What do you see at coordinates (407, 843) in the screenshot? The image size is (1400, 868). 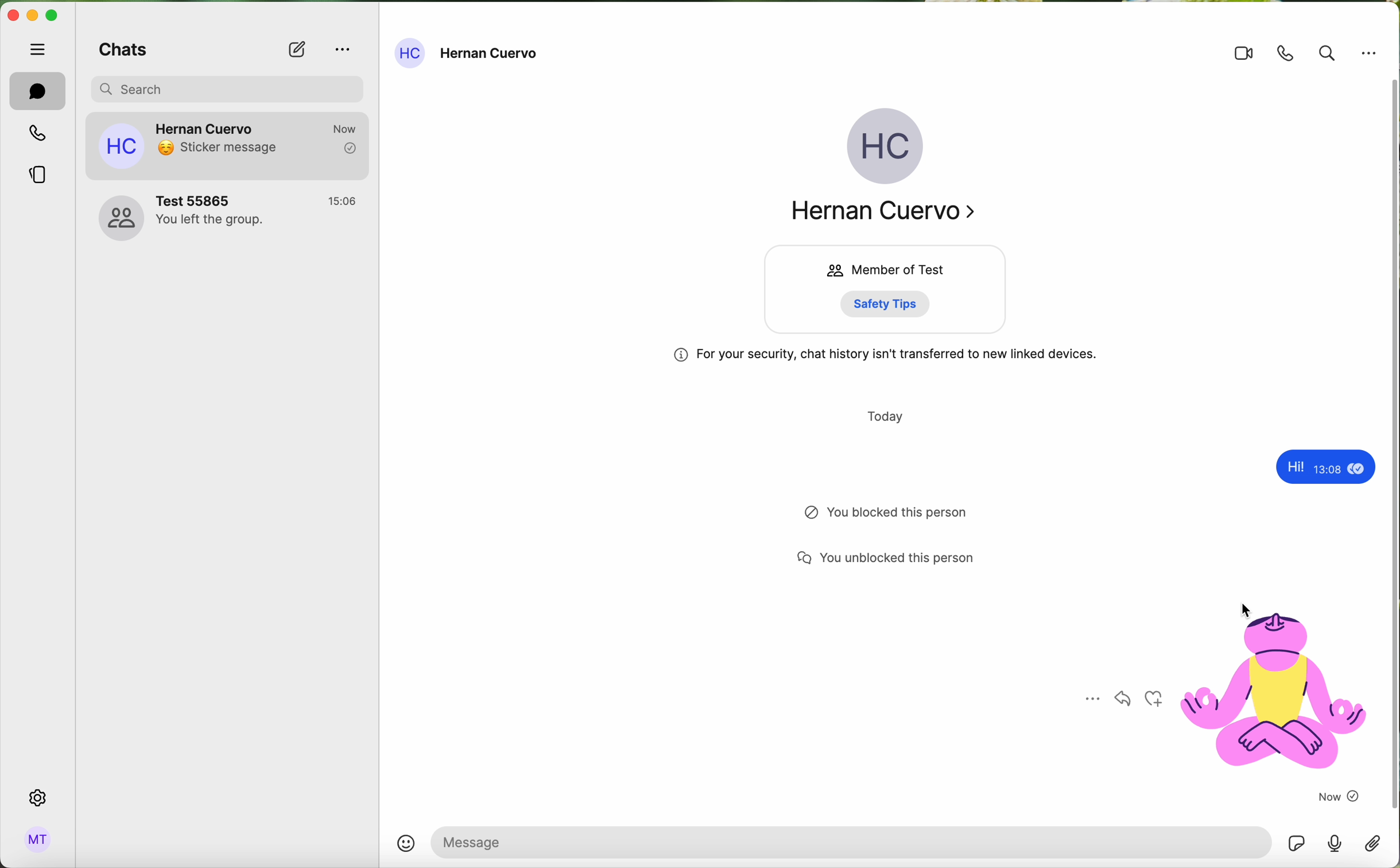 I see `emoji` at bounding box center [407, 843].